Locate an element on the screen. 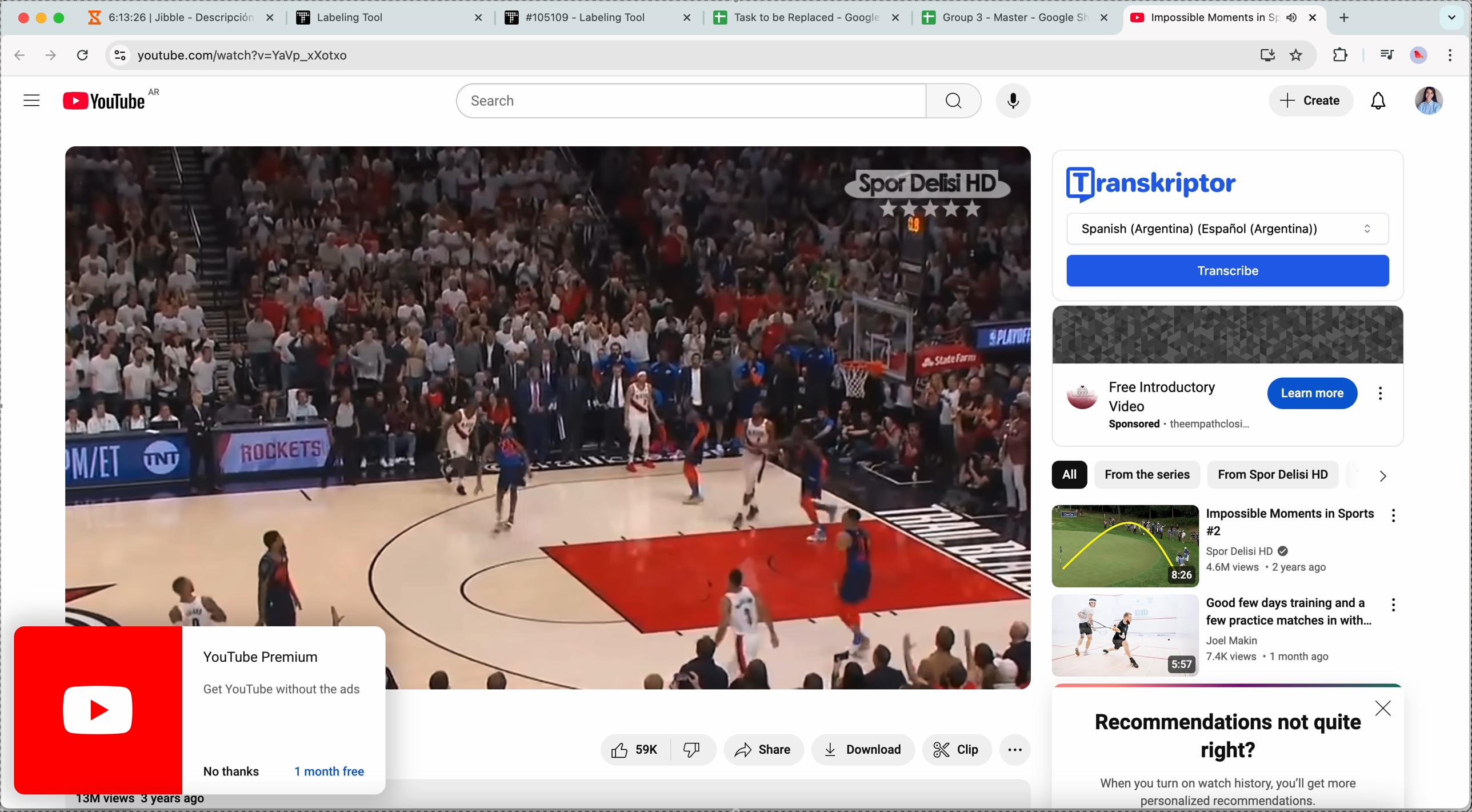 This screenshot has width=1472, height=812. search tabs is located at coordinates (1452, 17).